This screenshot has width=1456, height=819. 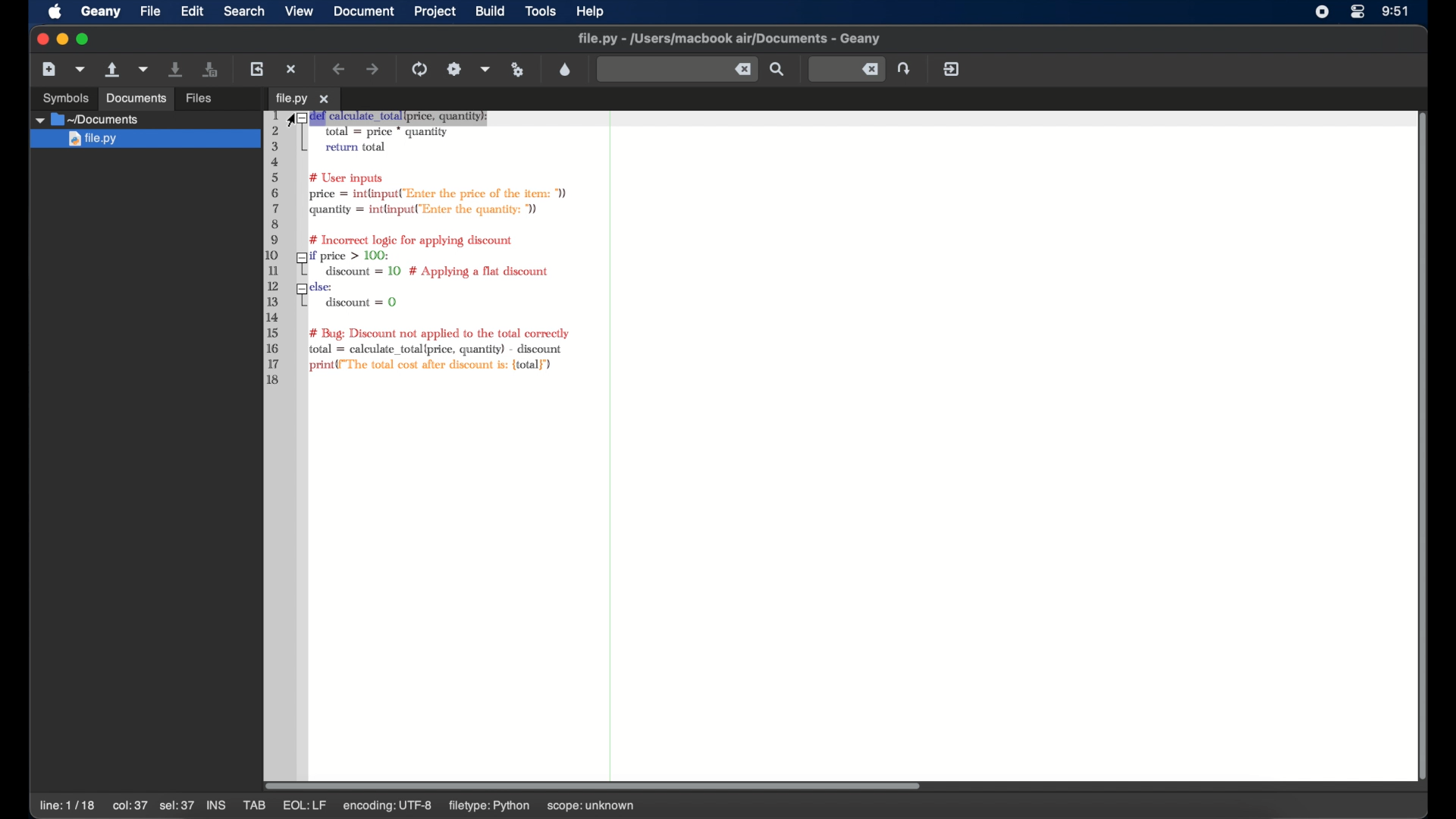 What do you see at coordinates (254, 805) in the screenshot?
I see `tab` at bounding box center [254, 805].